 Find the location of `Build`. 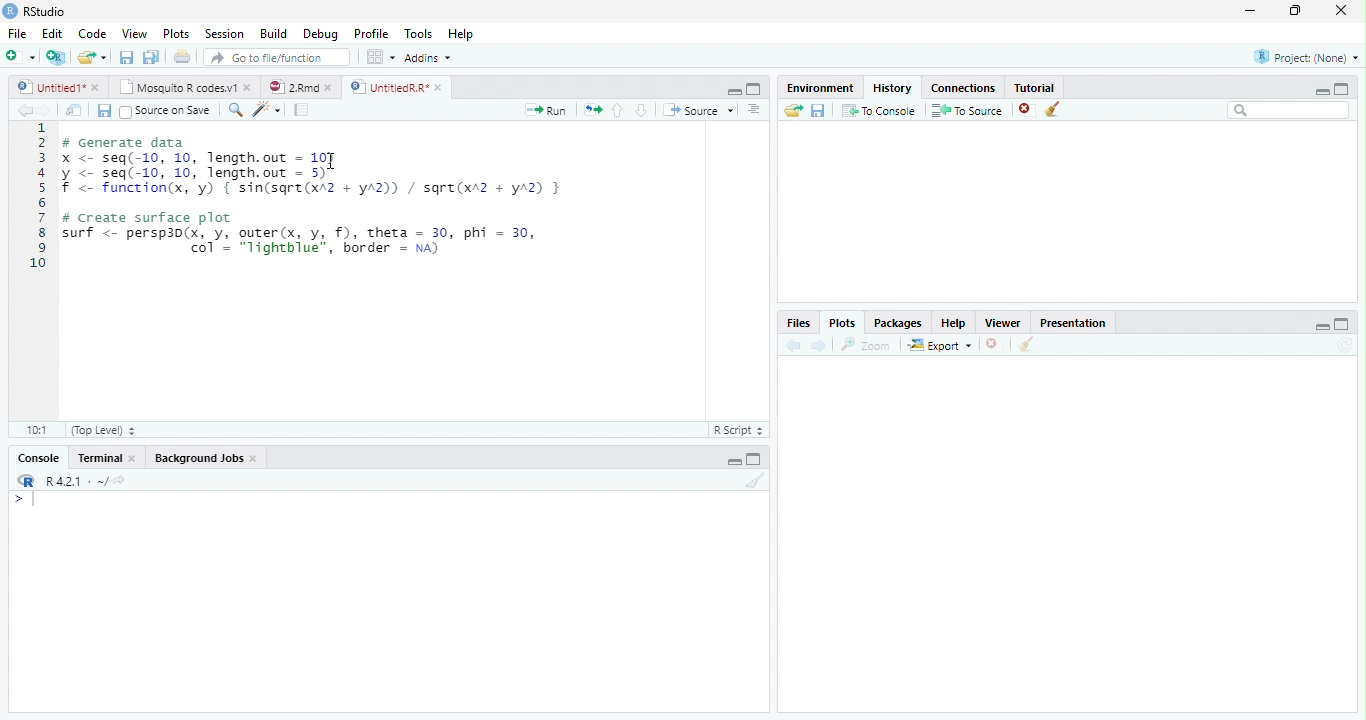

Build is located at coordinates (273, 33).